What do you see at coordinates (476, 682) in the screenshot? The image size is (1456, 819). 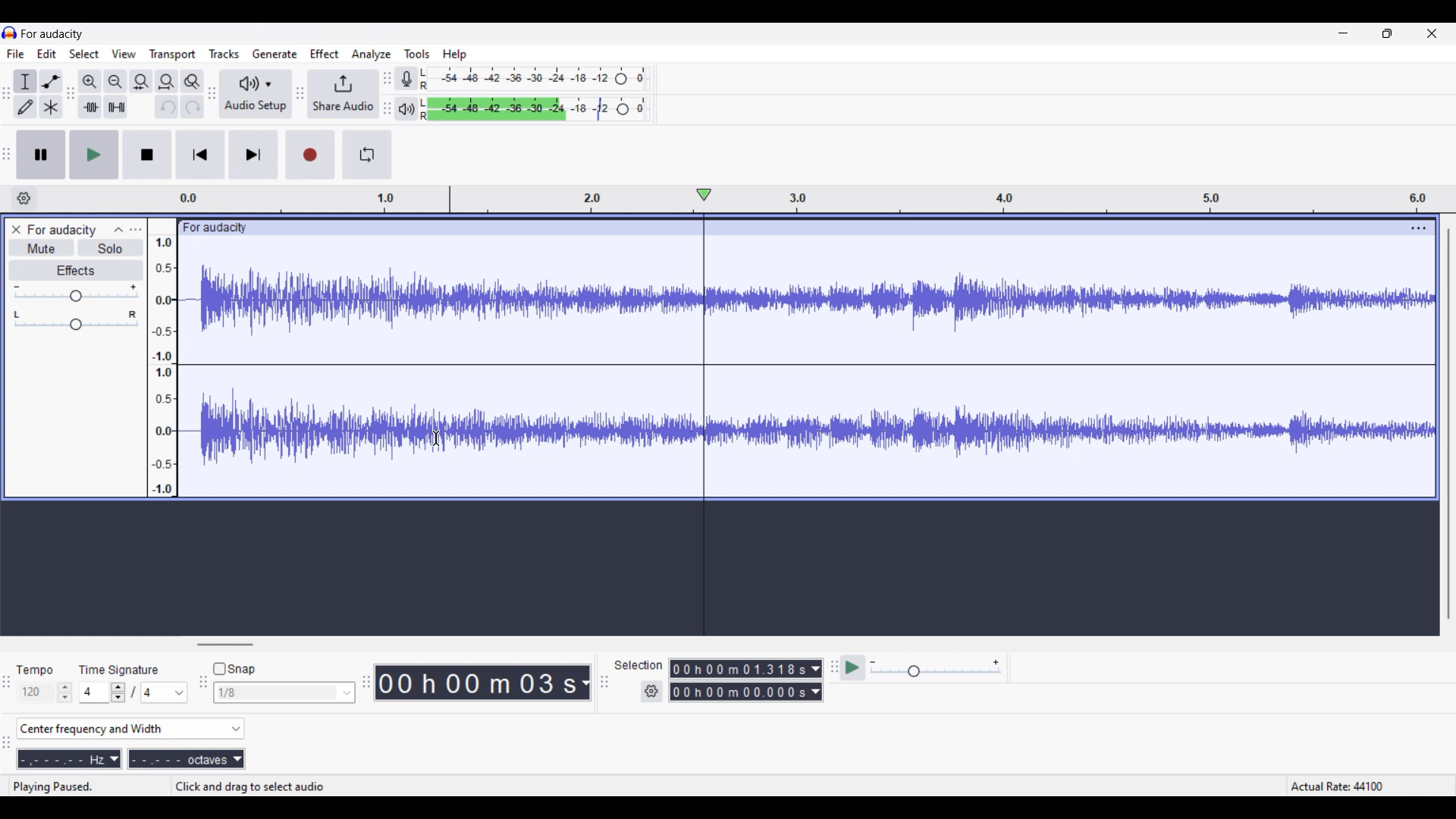 I see `Duration` at bounding box center [476, 682].